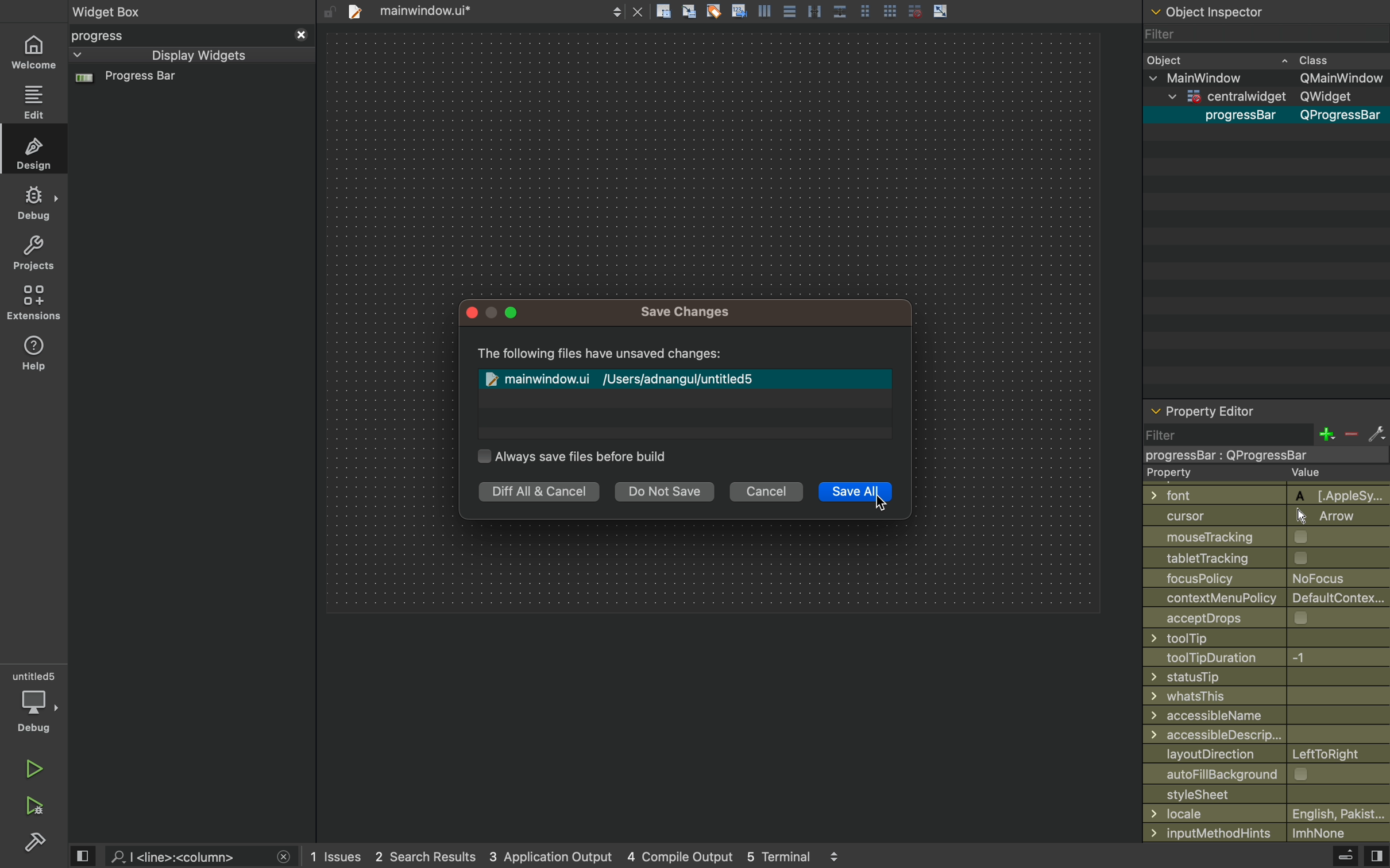 This screenshot has width=1390, height=868. I want to click on statustip, so click(1262, 676).